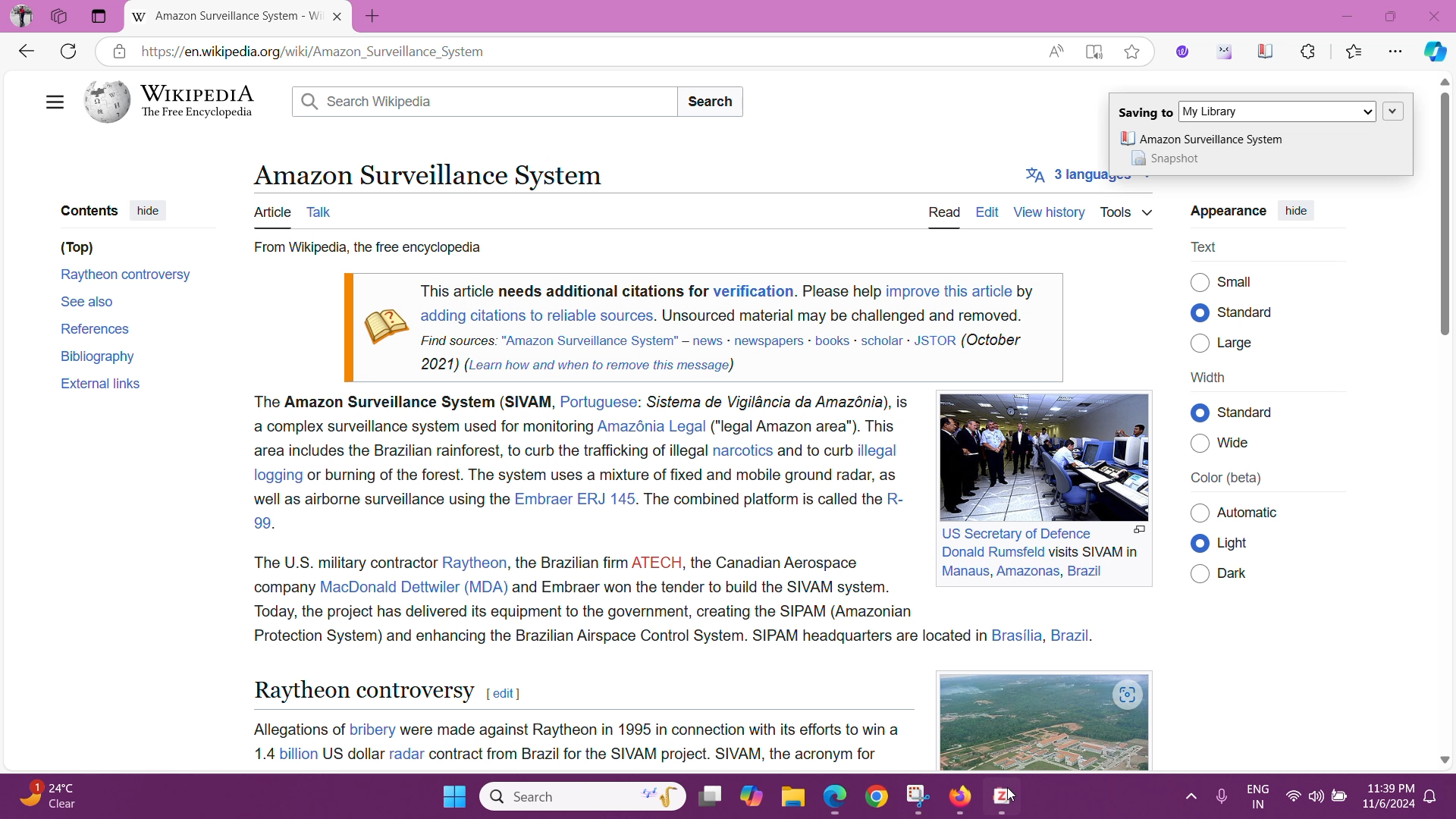 Image resolution: width=1456 pixels, height=819 pixels. Describe the element at coordinates (1056, 50) in the screenshot. I see `Read aloud this page` at that location.